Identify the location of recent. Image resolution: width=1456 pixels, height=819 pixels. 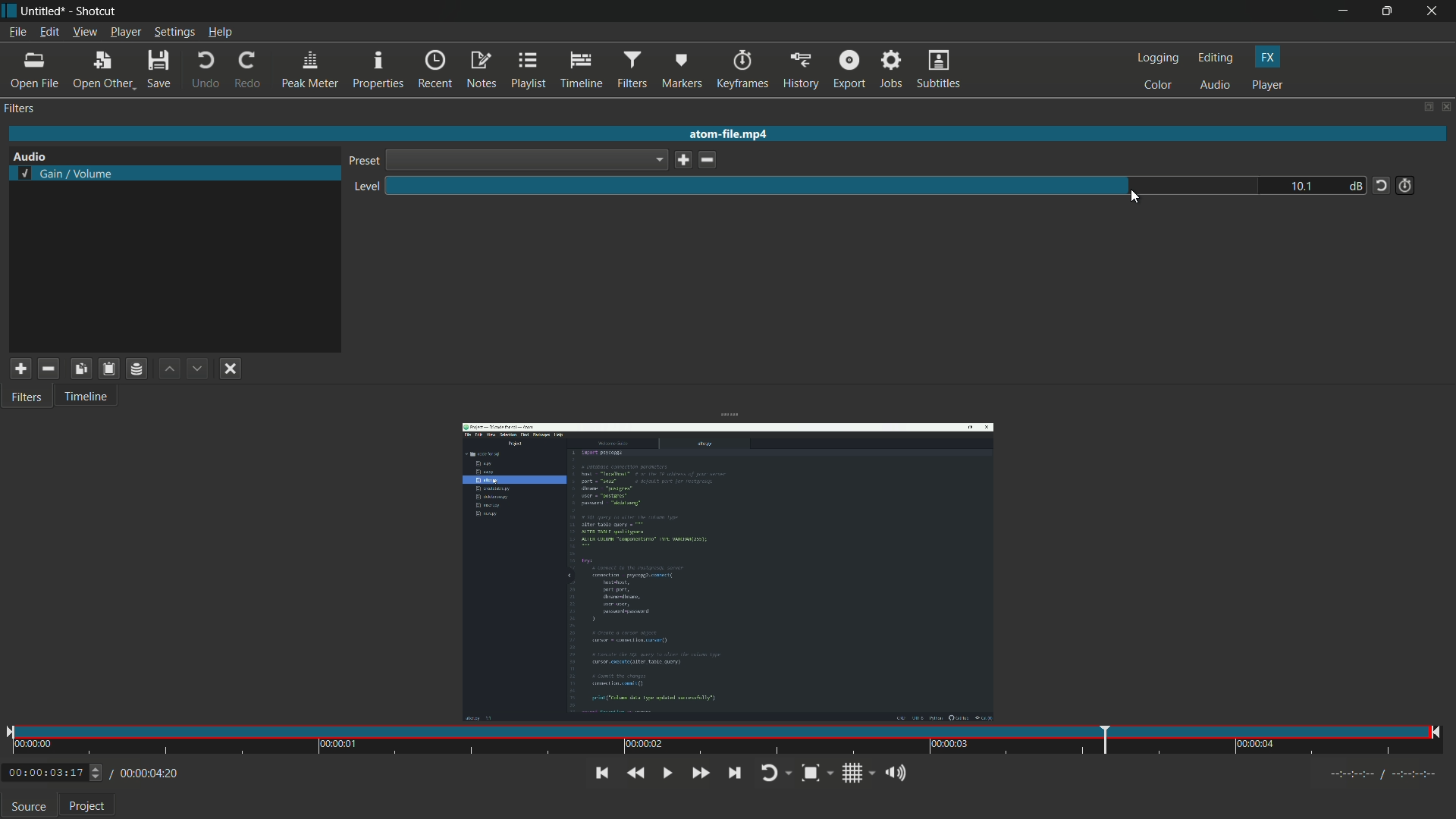
(435, 71).